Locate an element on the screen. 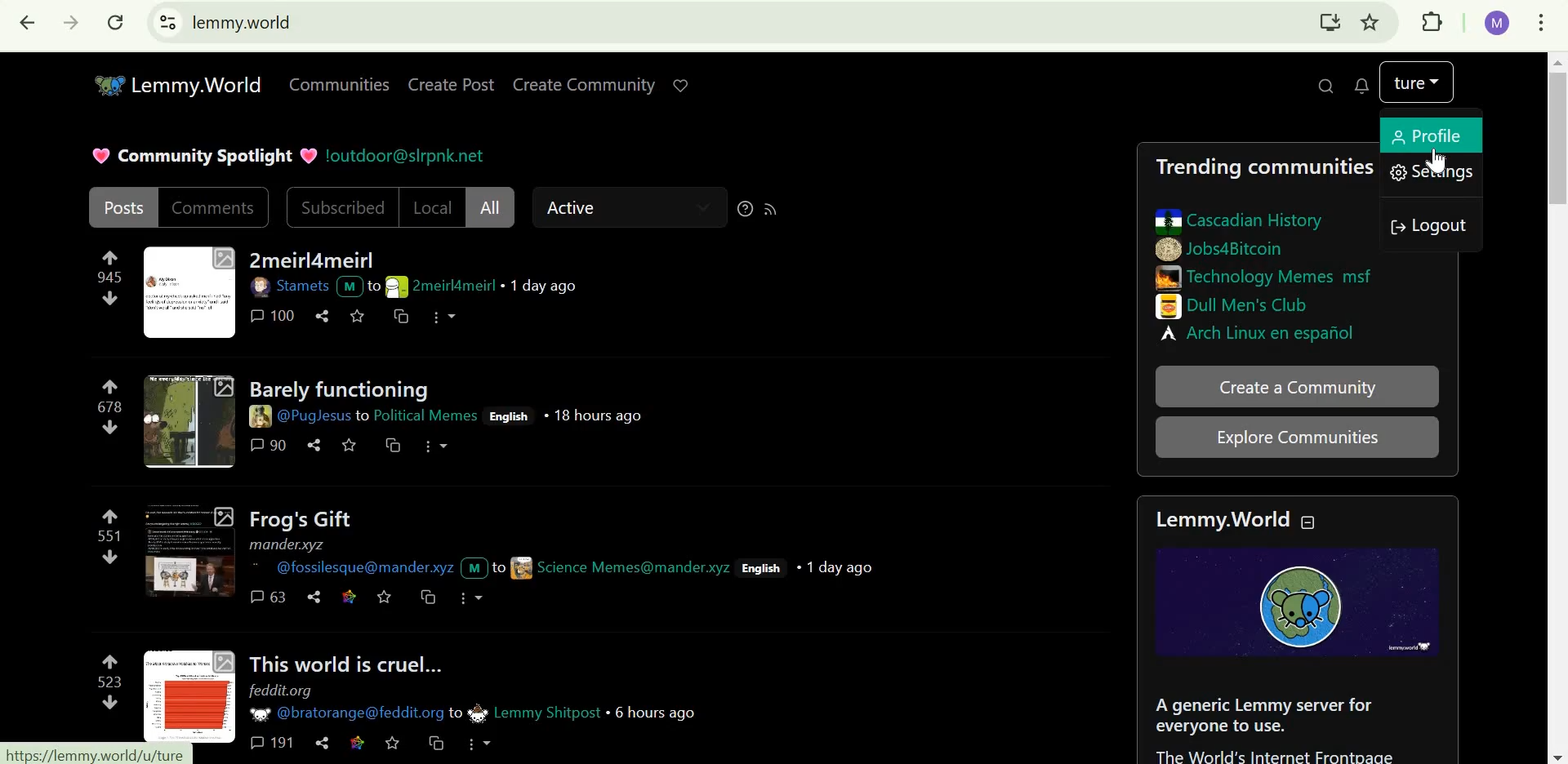  community name is located at coordinates (525, 712).